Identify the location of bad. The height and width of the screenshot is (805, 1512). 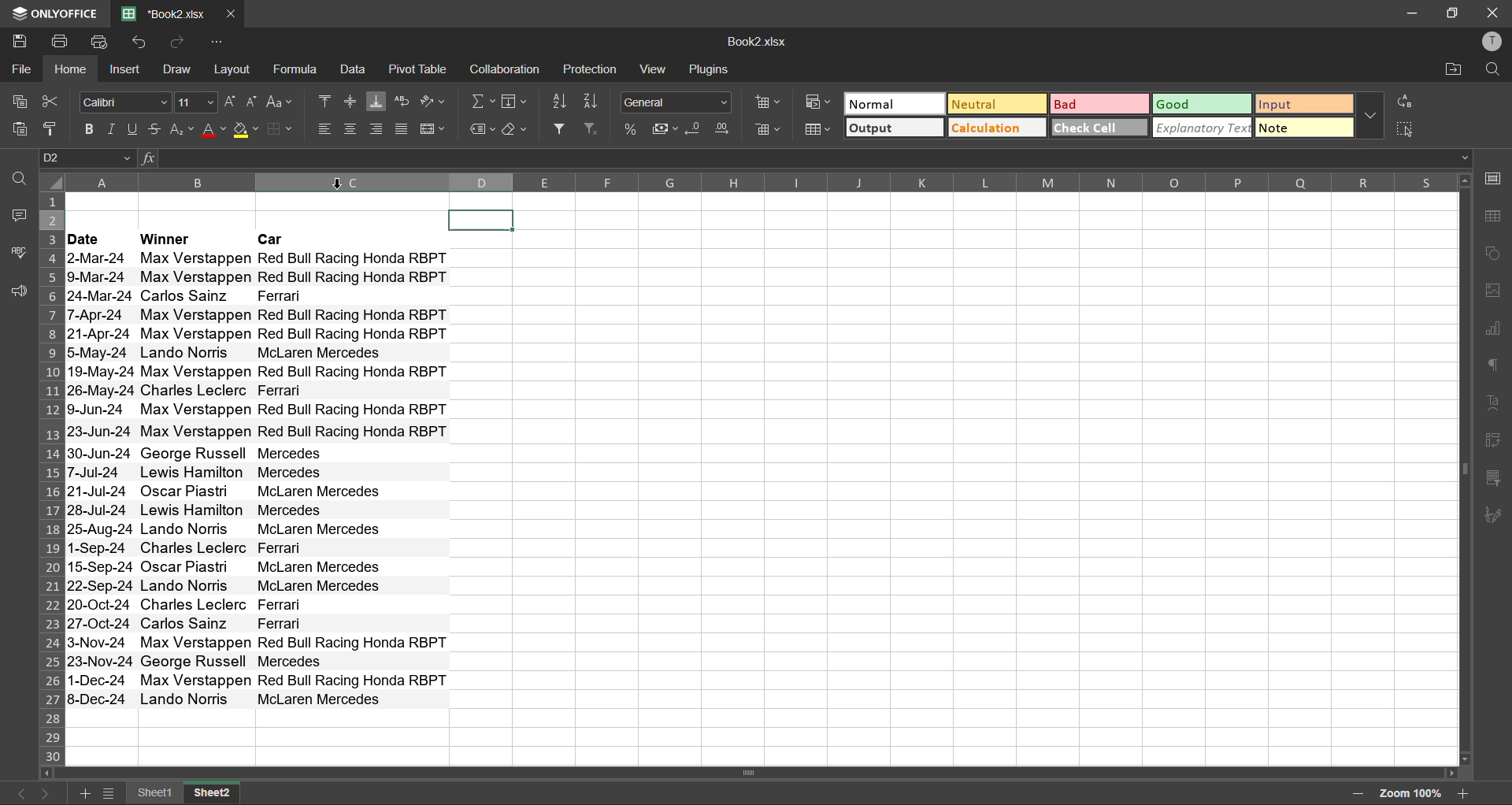
(1099, 106).